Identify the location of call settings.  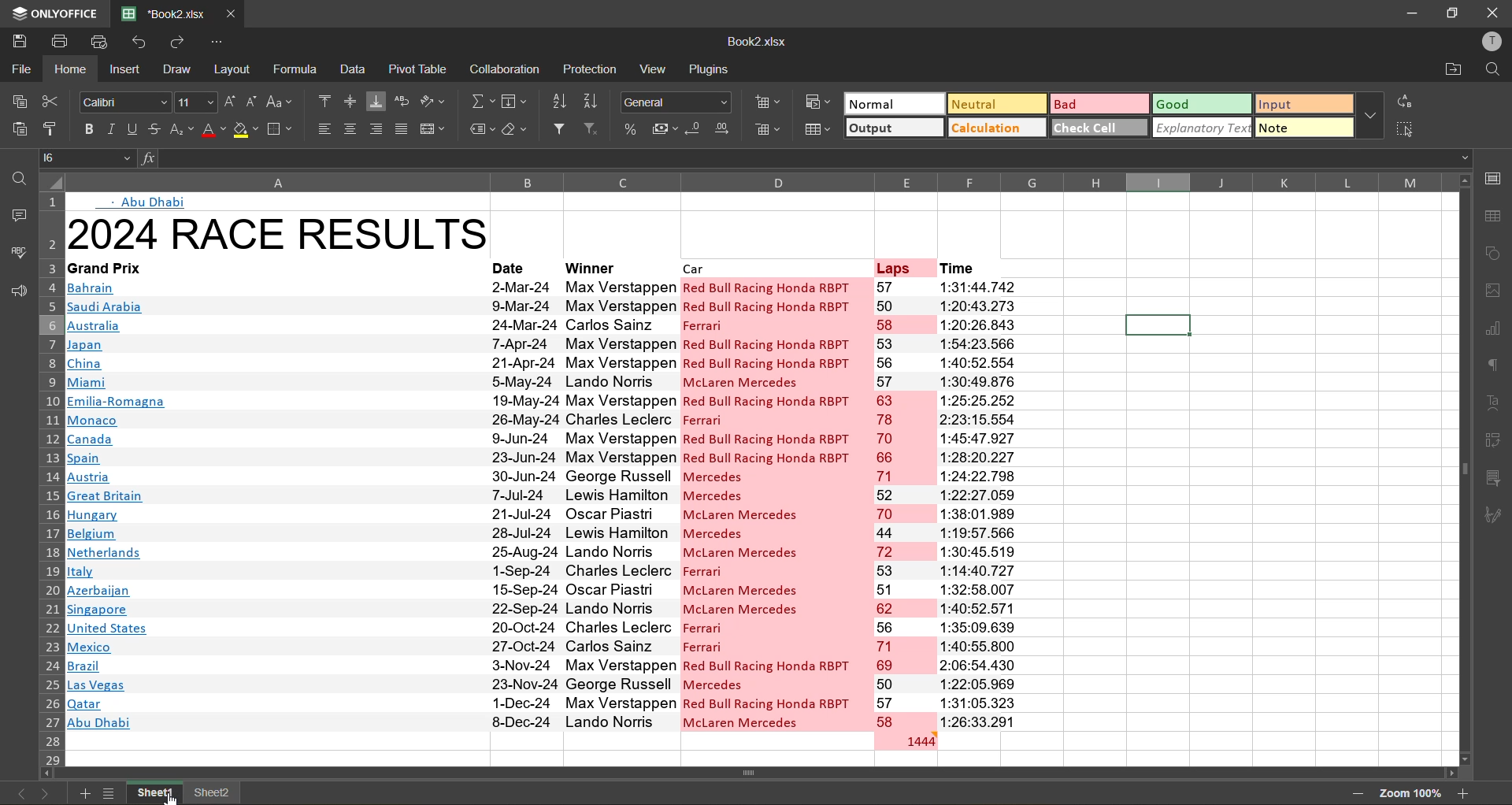
(1496, 179).